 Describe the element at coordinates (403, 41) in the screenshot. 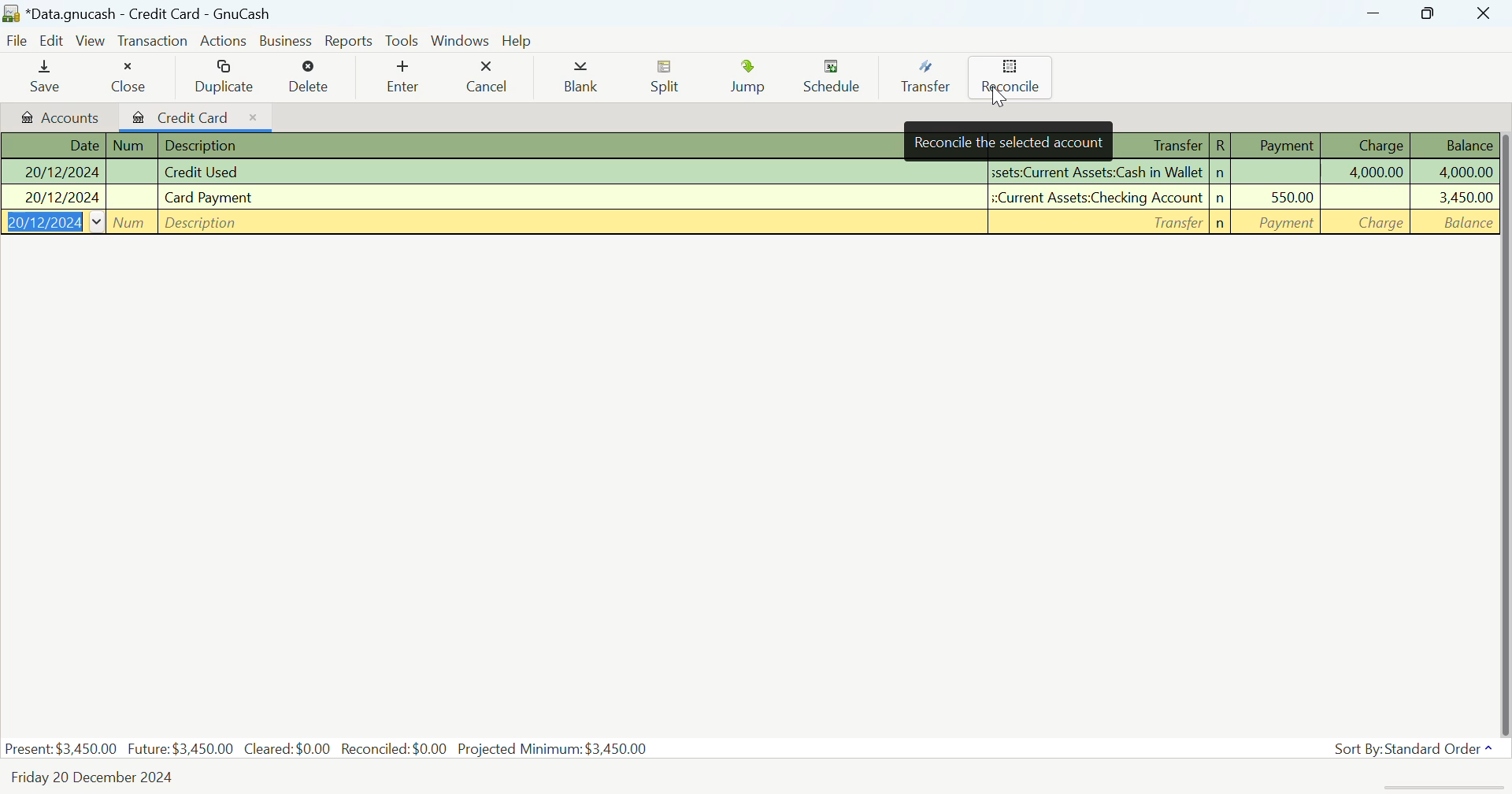

I see `Tools` at that location.